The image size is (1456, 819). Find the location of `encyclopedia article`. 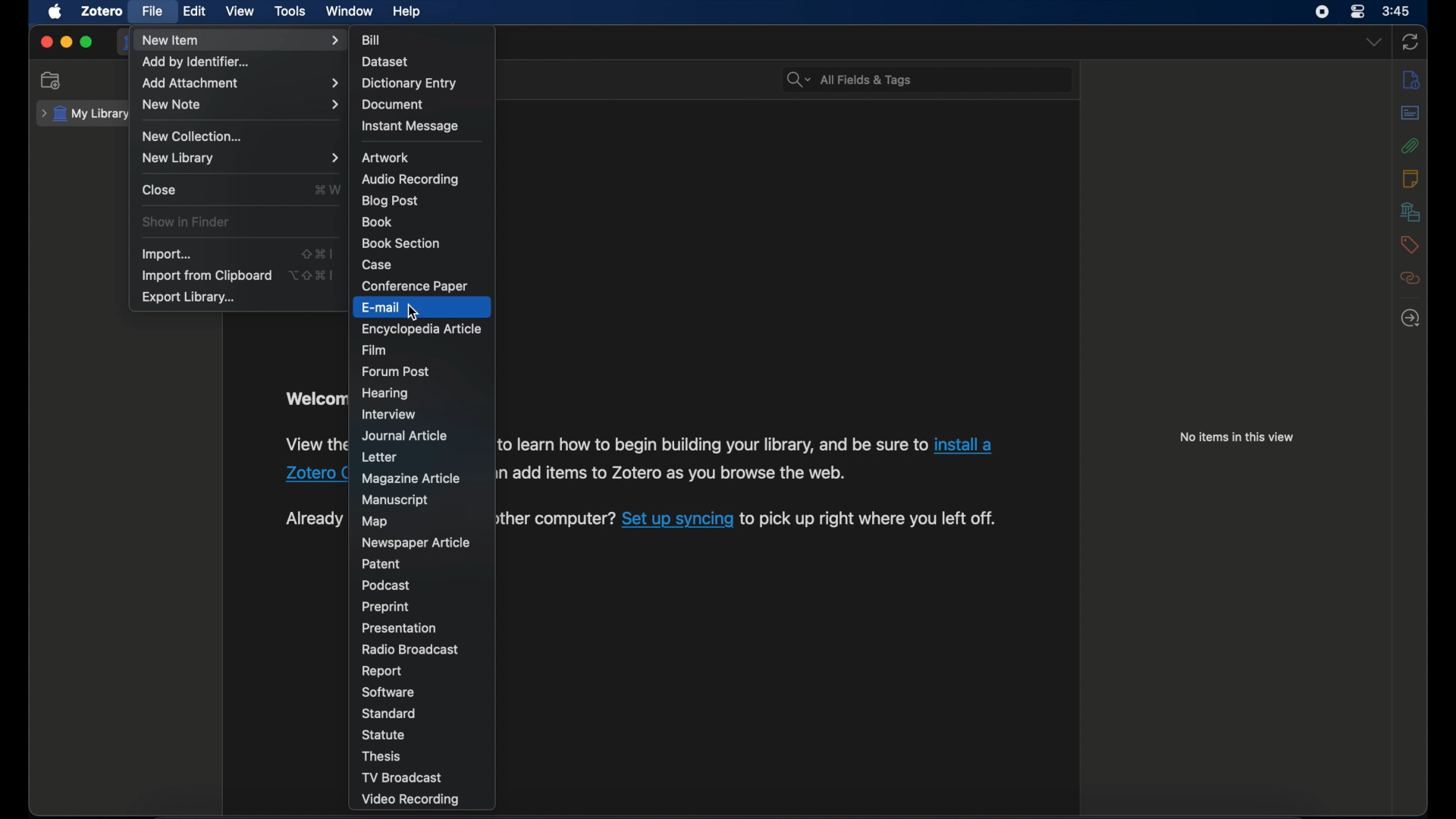

encyclopedia article is located at coordinates (422, 328).